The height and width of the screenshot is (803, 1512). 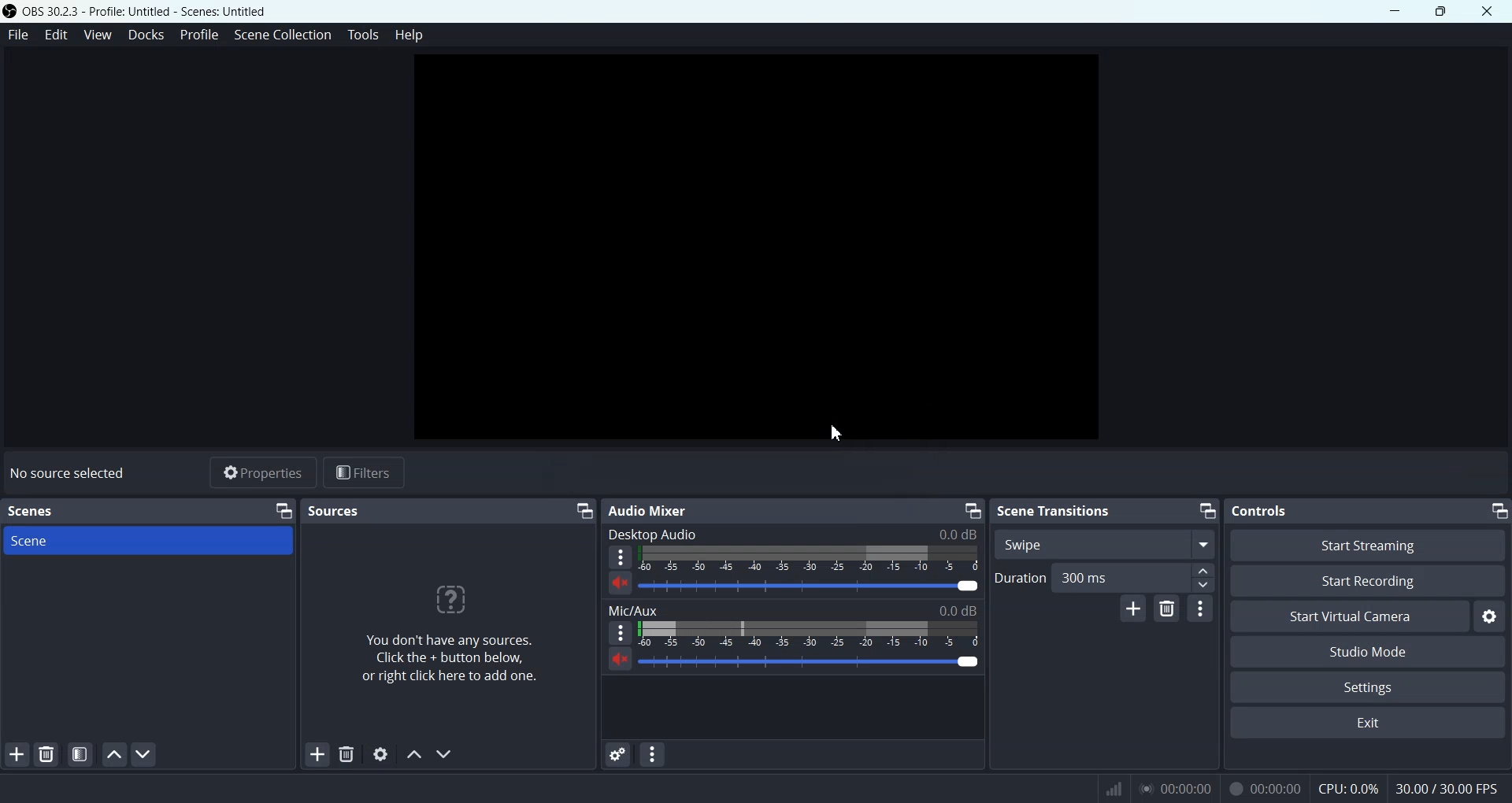 What do you see at coordinates (1497, 511) in the screenshot?
I see `Minimize` at bounding box center [1497, 511].